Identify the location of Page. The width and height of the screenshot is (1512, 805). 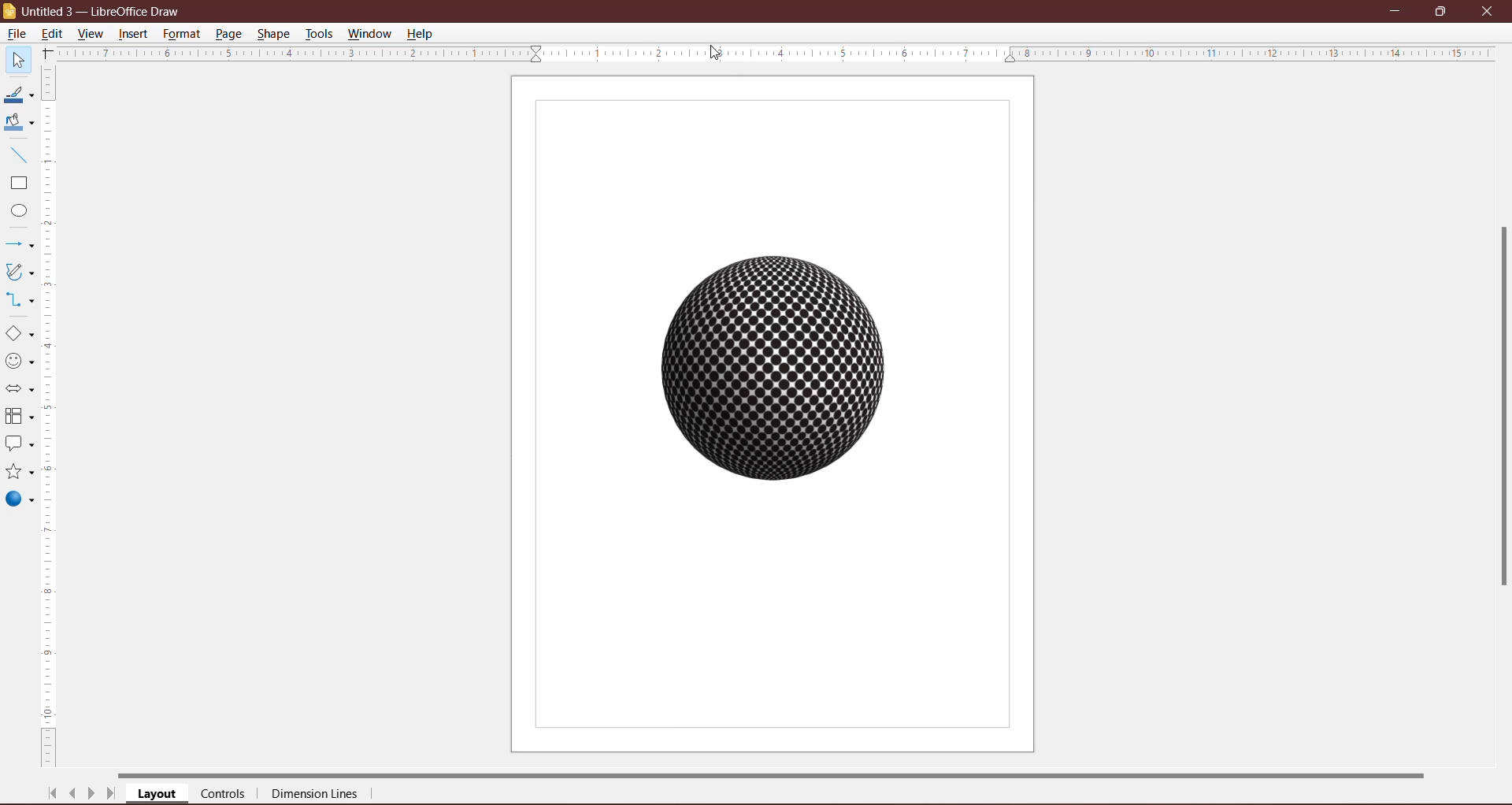
(228, 33).